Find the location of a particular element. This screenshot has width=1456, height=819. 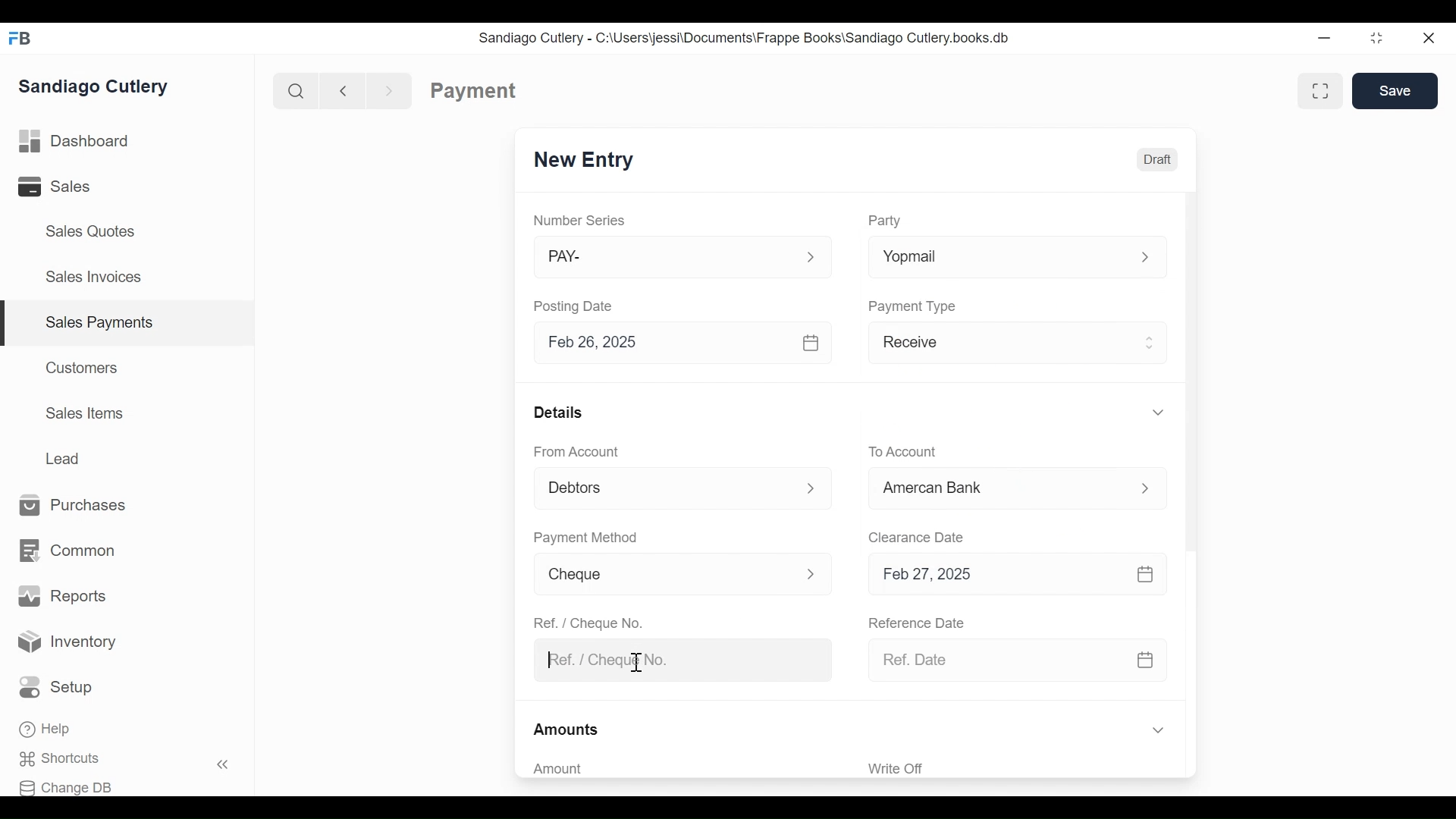

Navigate forward is located at coordinates (390, 89).